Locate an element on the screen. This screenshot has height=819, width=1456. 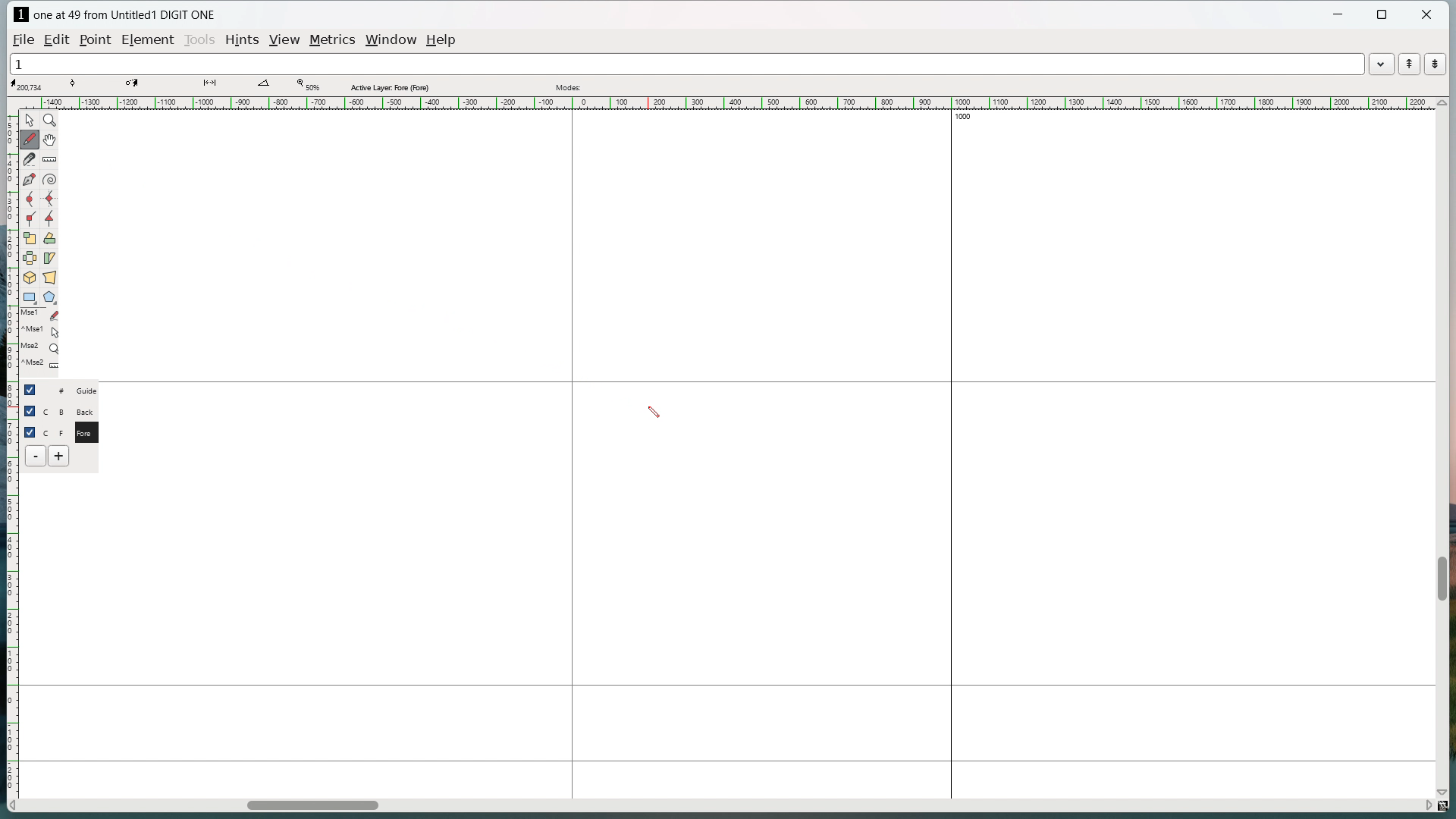
pointer is located at coordinates (30, 120).